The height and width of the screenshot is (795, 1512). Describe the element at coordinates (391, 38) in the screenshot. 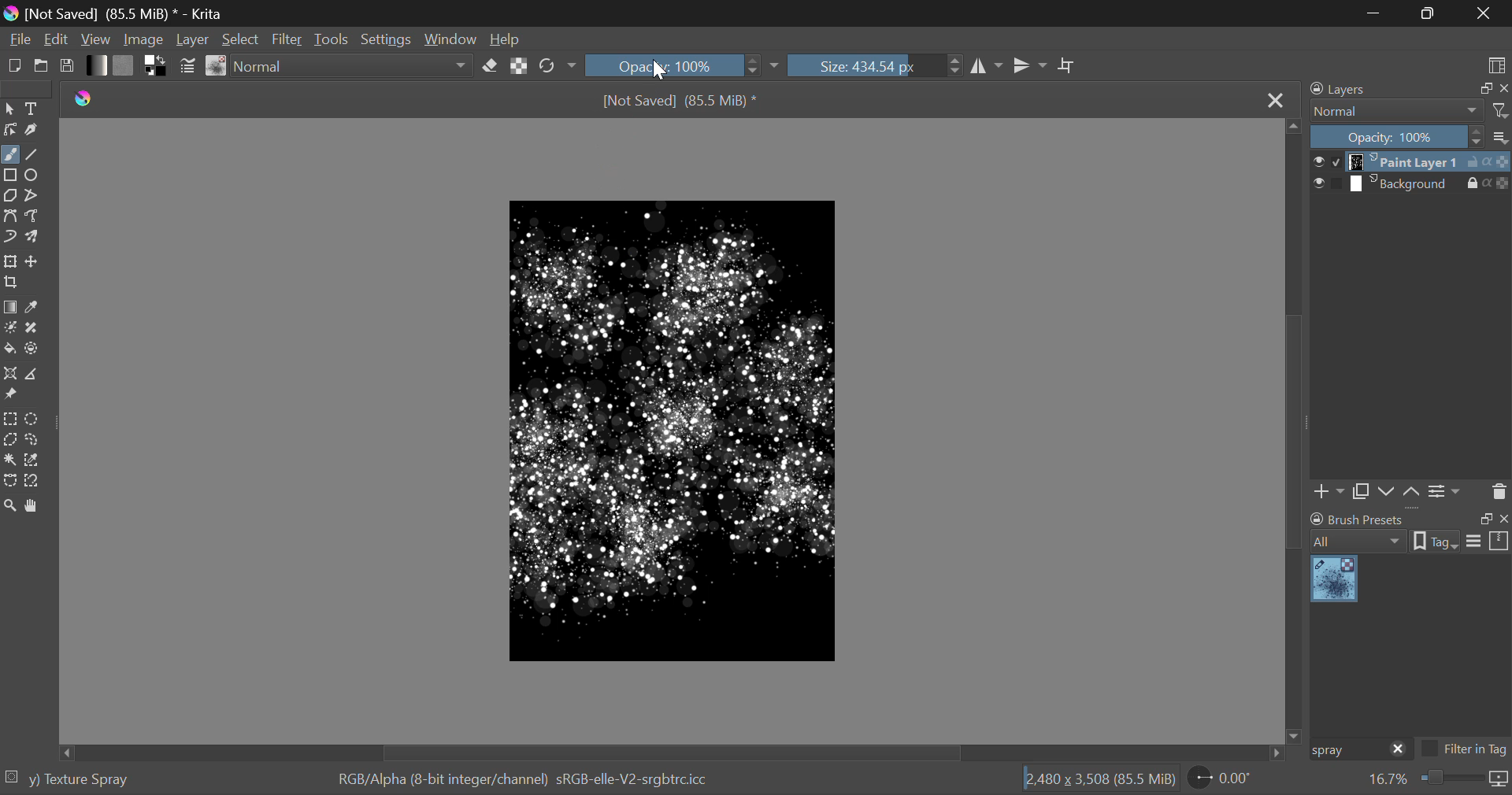

I see `Settings` at that location.